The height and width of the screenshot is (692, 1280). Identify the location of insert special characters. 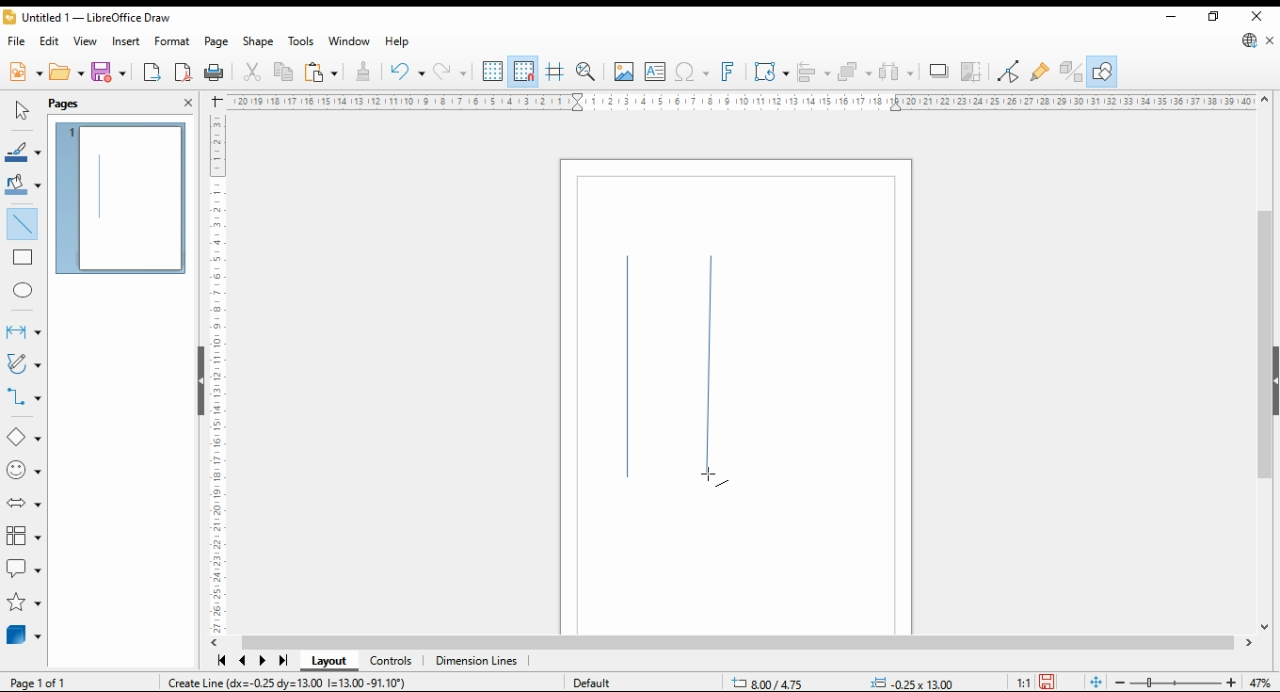
(692, 72).